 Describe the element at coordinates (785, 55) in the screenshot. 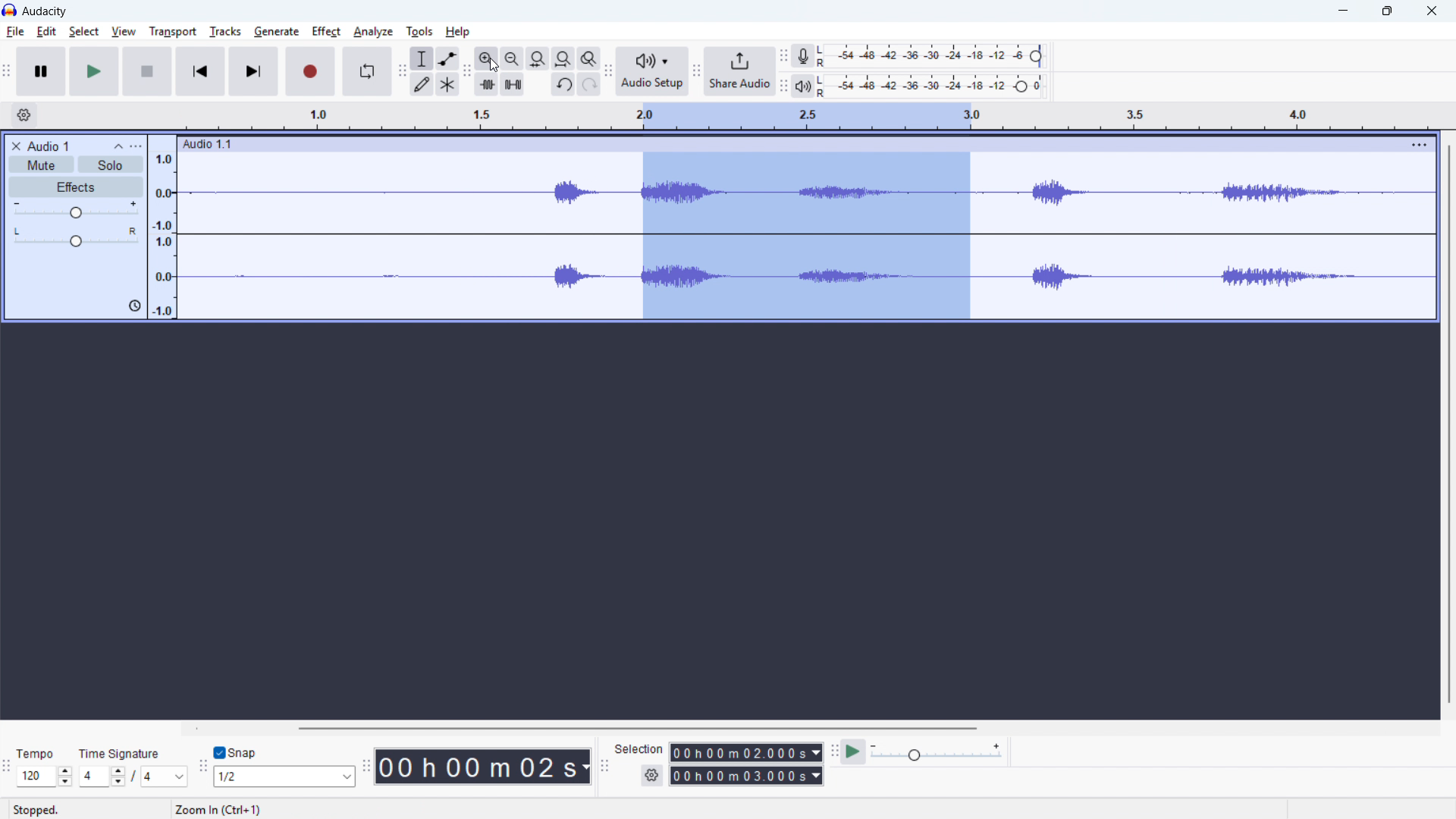

I see `recording metre toolbar` at that location.